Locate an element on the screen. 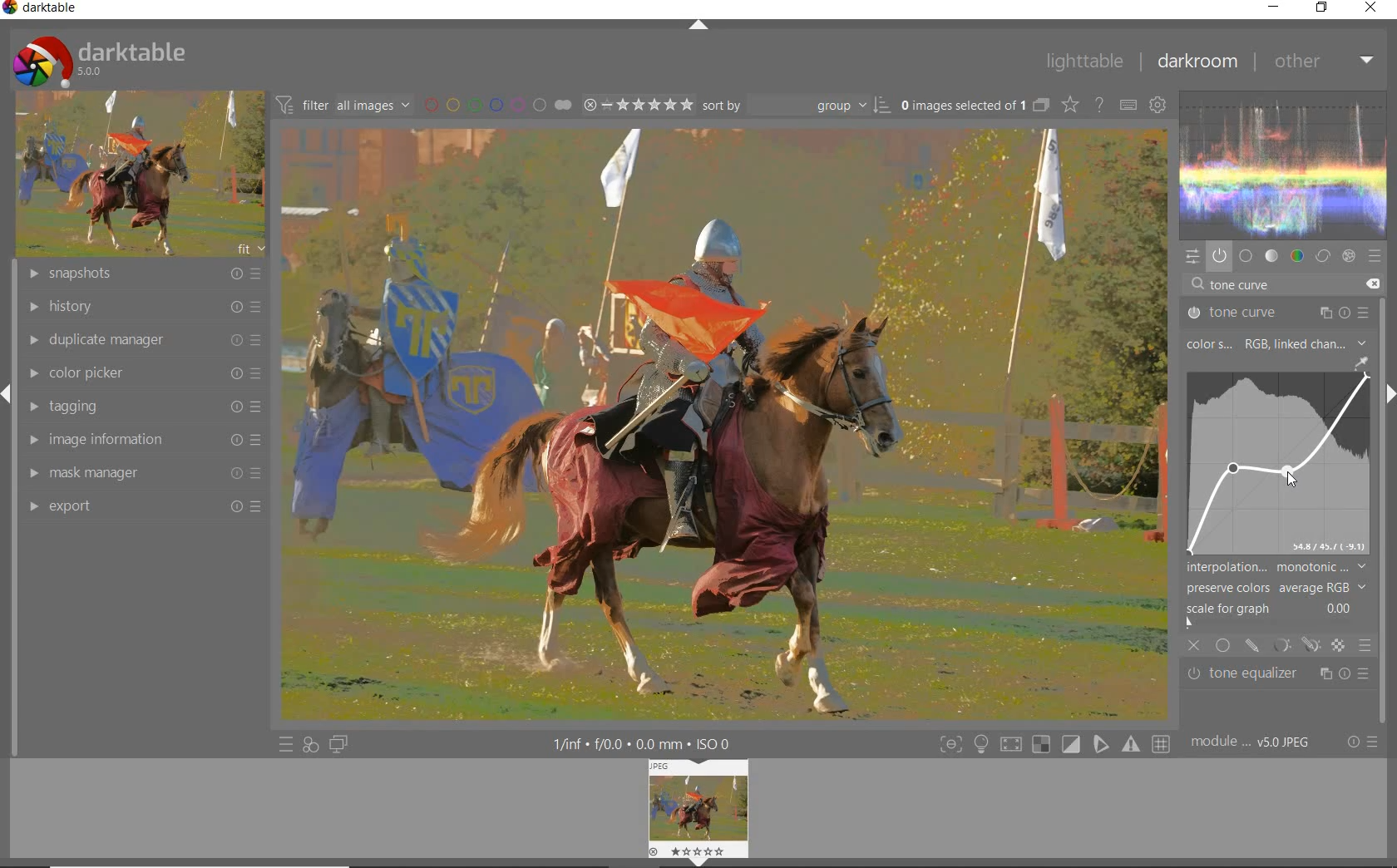 Image resolution: width=1397 pixels, height=868 pixels. define keyboard shortcuts is located at coordinates (1128, 106).